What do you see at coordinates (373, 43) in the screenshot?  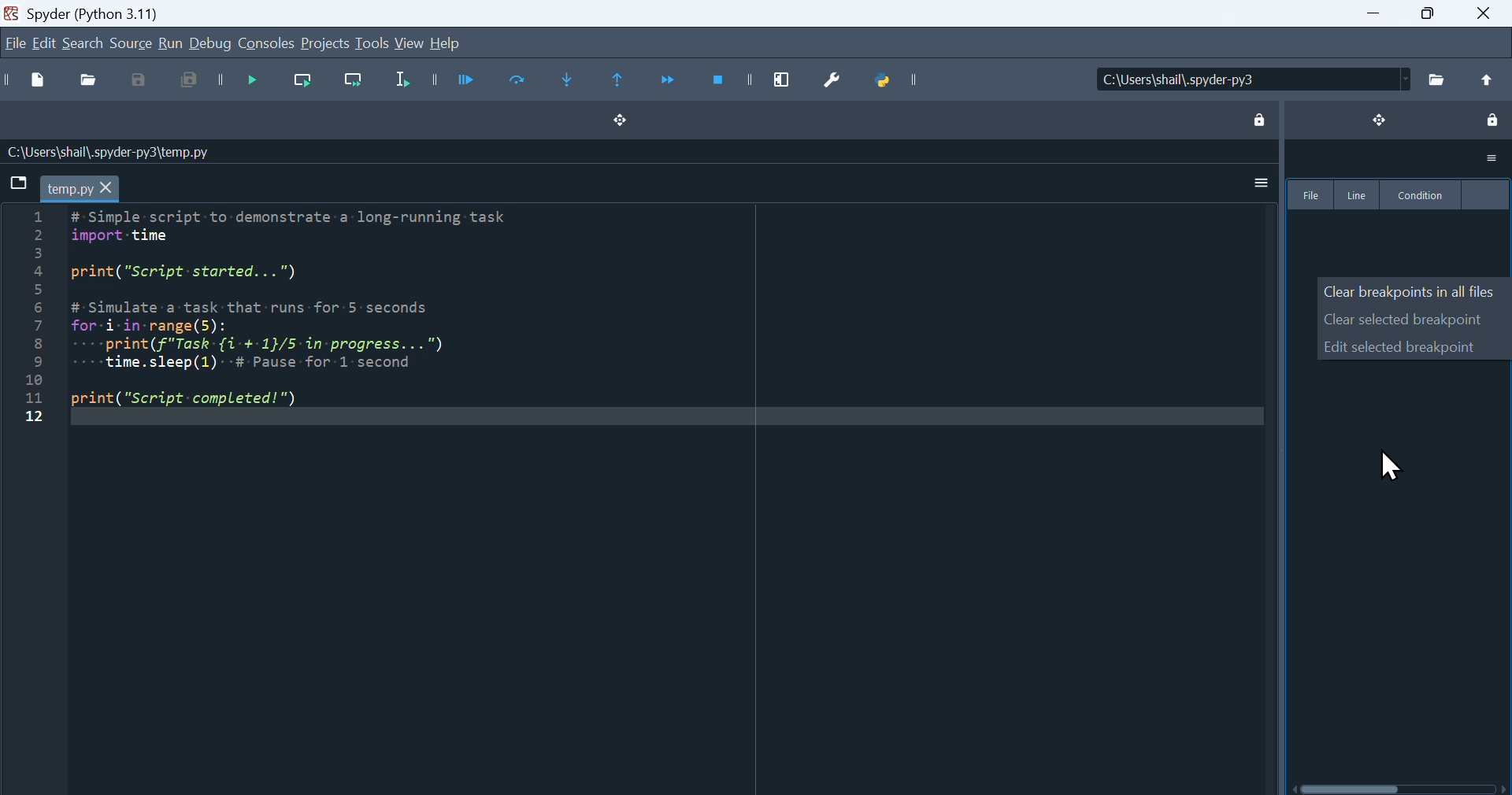 I see `Tools` at bounding box center [373, 43].